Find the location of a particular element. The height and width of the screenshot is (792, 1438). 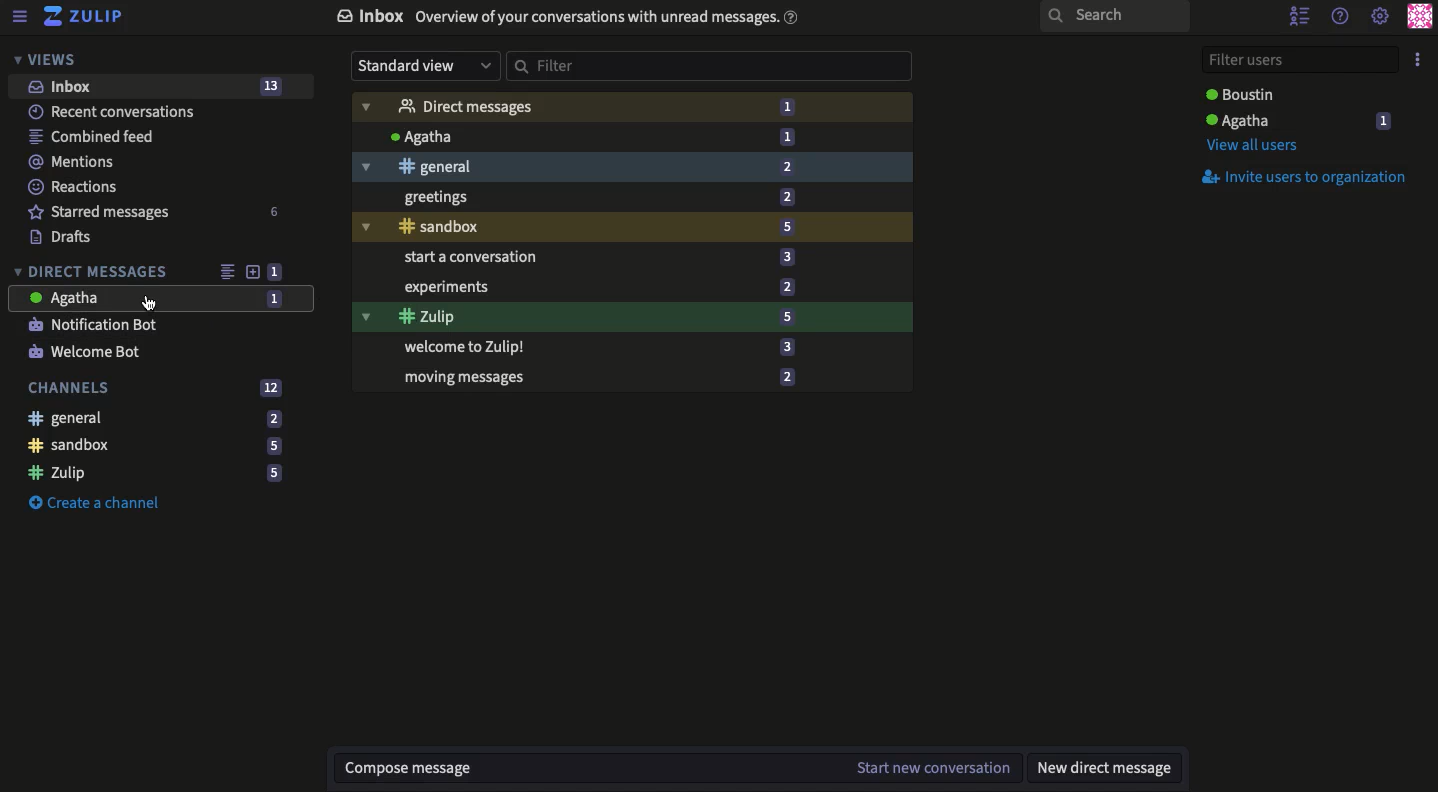

Channels is located at coordinates (158, 389).